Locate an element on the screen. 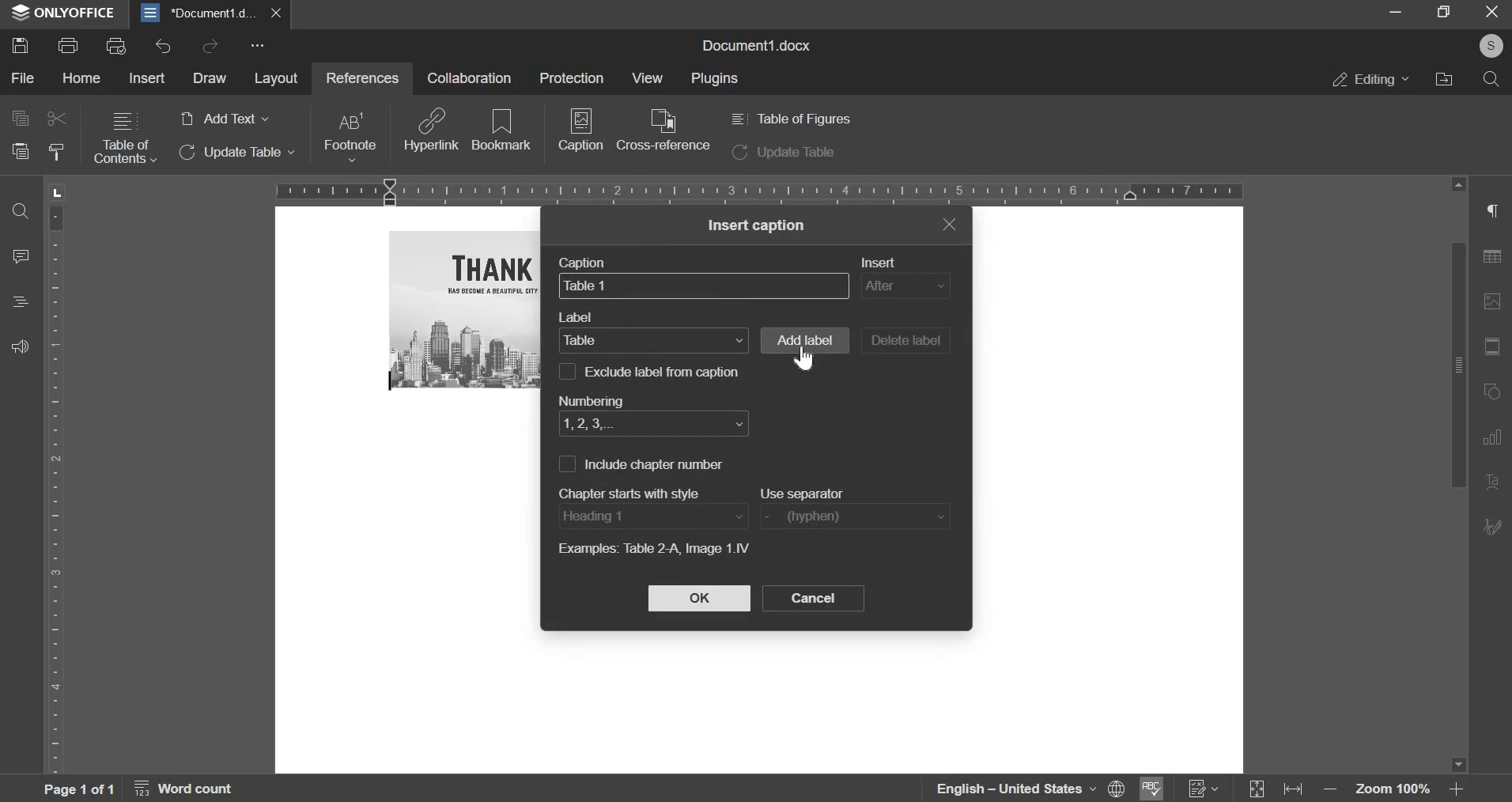  document1.d is located at coordinates (201, 13).